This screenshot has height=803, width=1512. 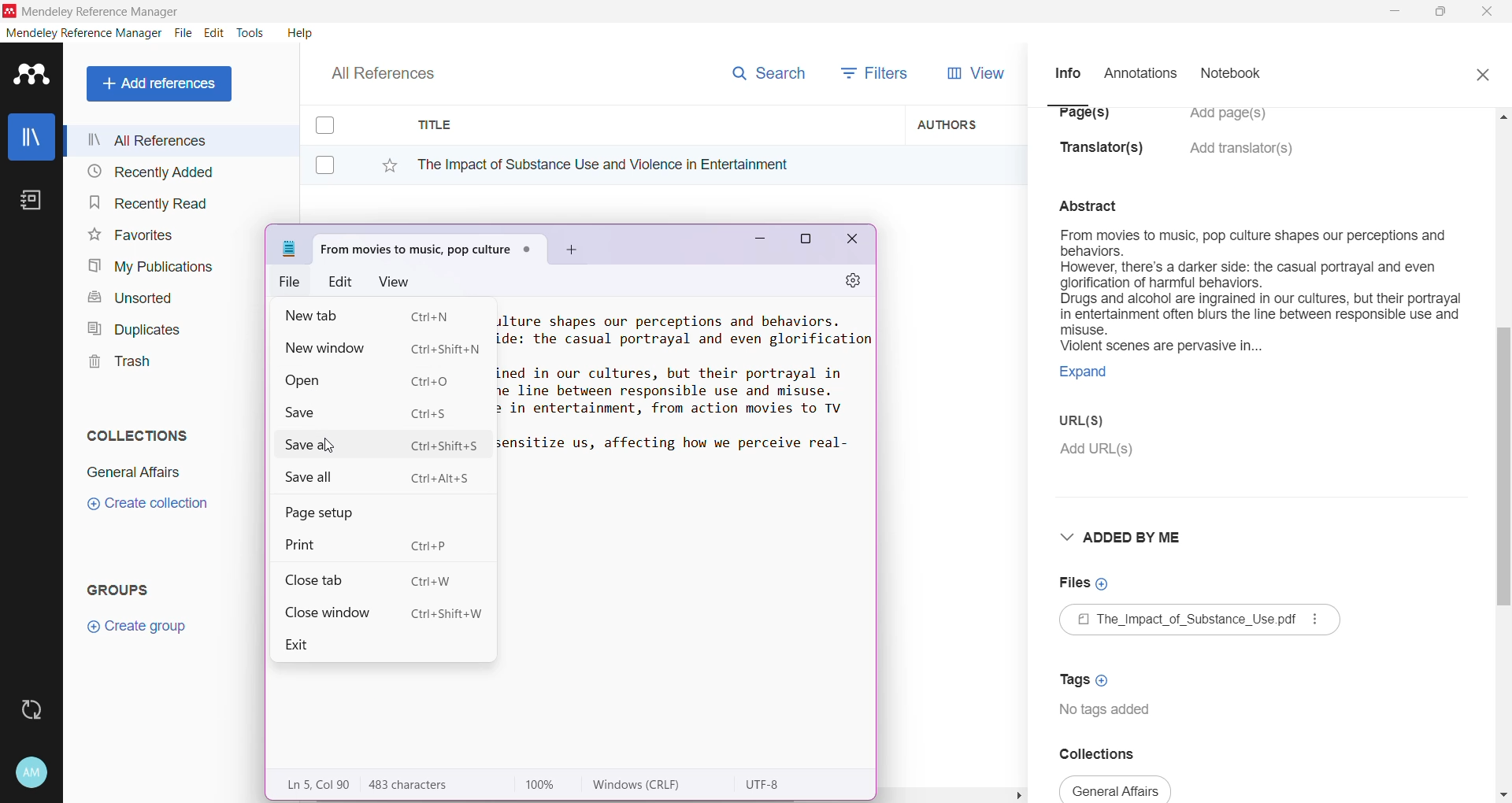 I want to click on Favorites, so click(x=129, y=235).